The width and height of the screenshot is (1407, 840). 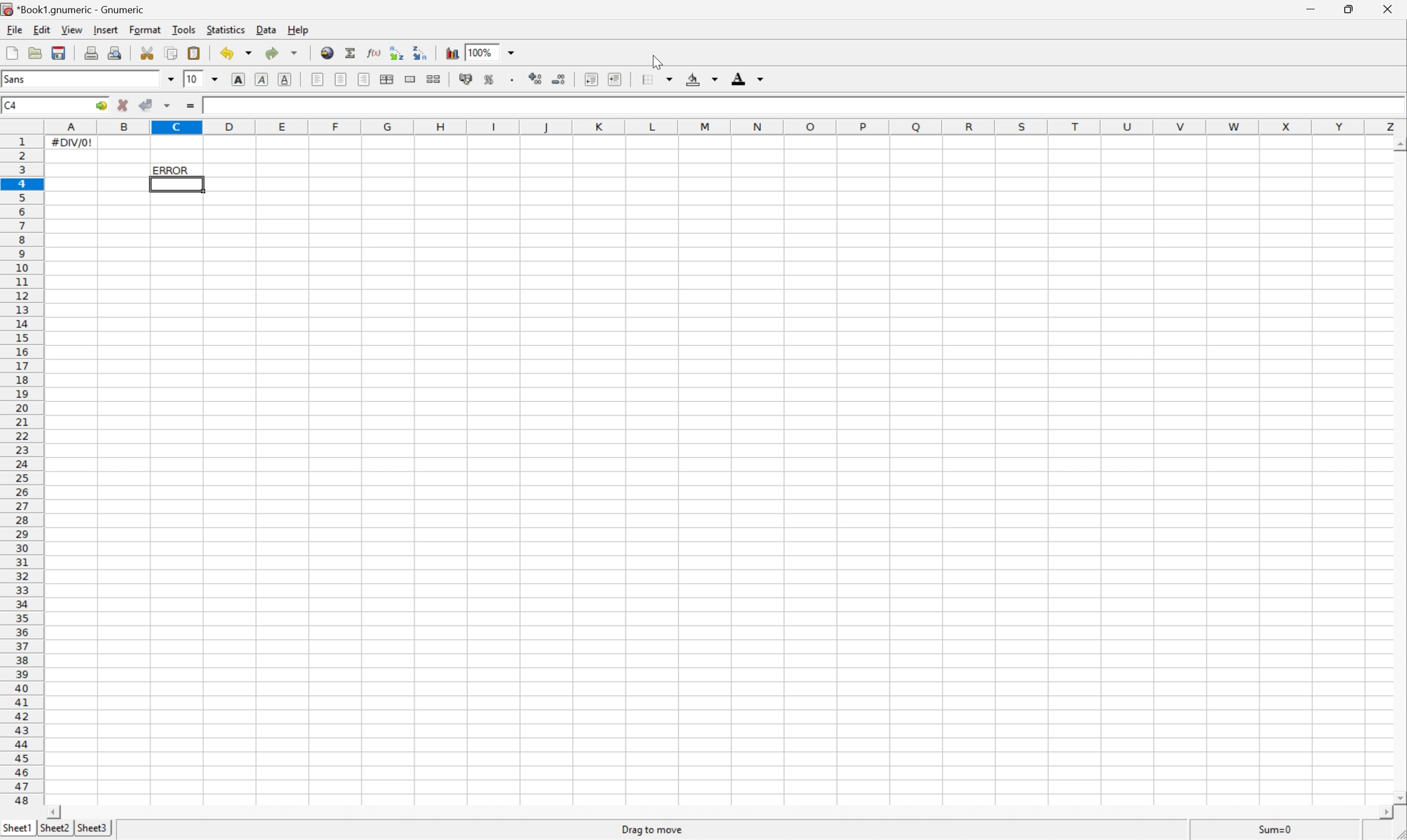 I want to click on  Go to..., so click(x=101, y=105).